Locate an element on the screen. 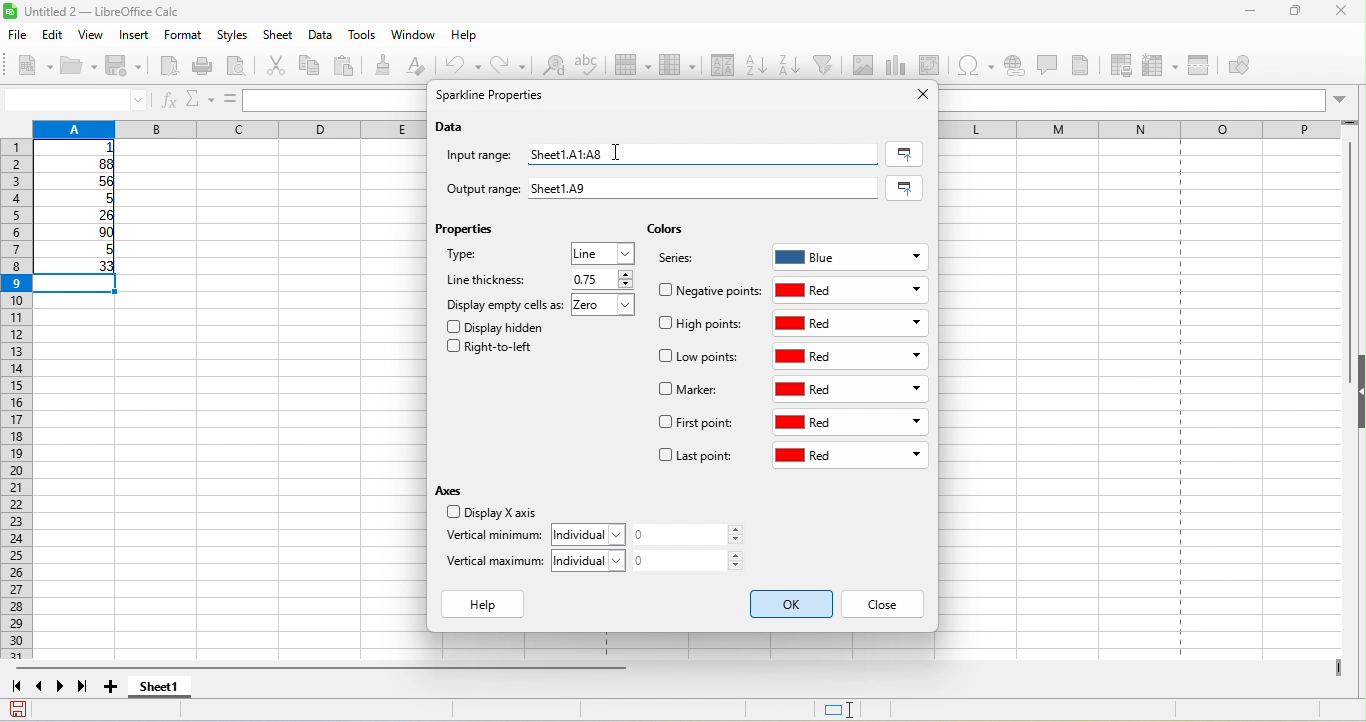 Image resolution: width=1366 pixels, height=722 pixels. series is located at coordinates (686, 261).